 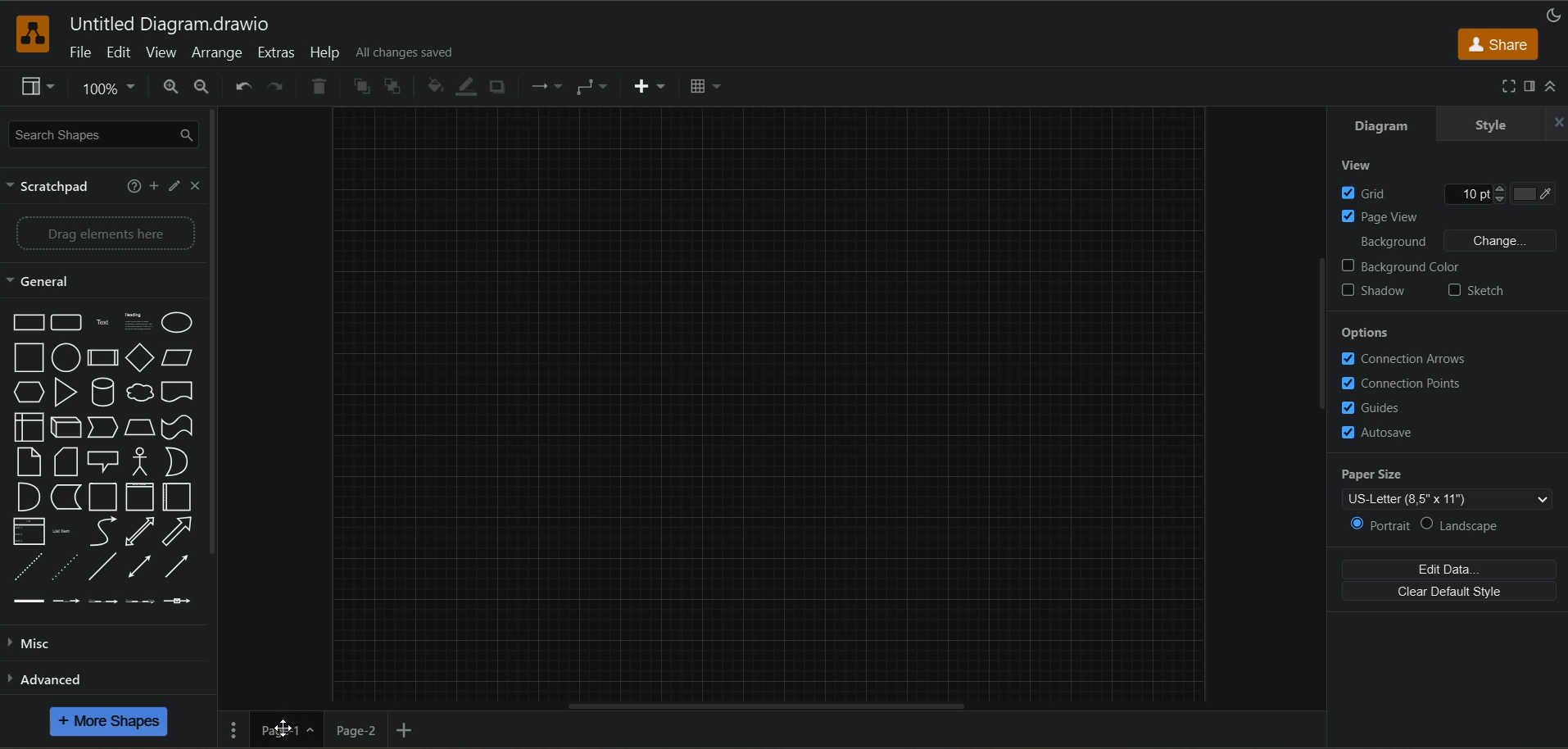 I want to click on collapse/expand, so click(x=1552, y=84).